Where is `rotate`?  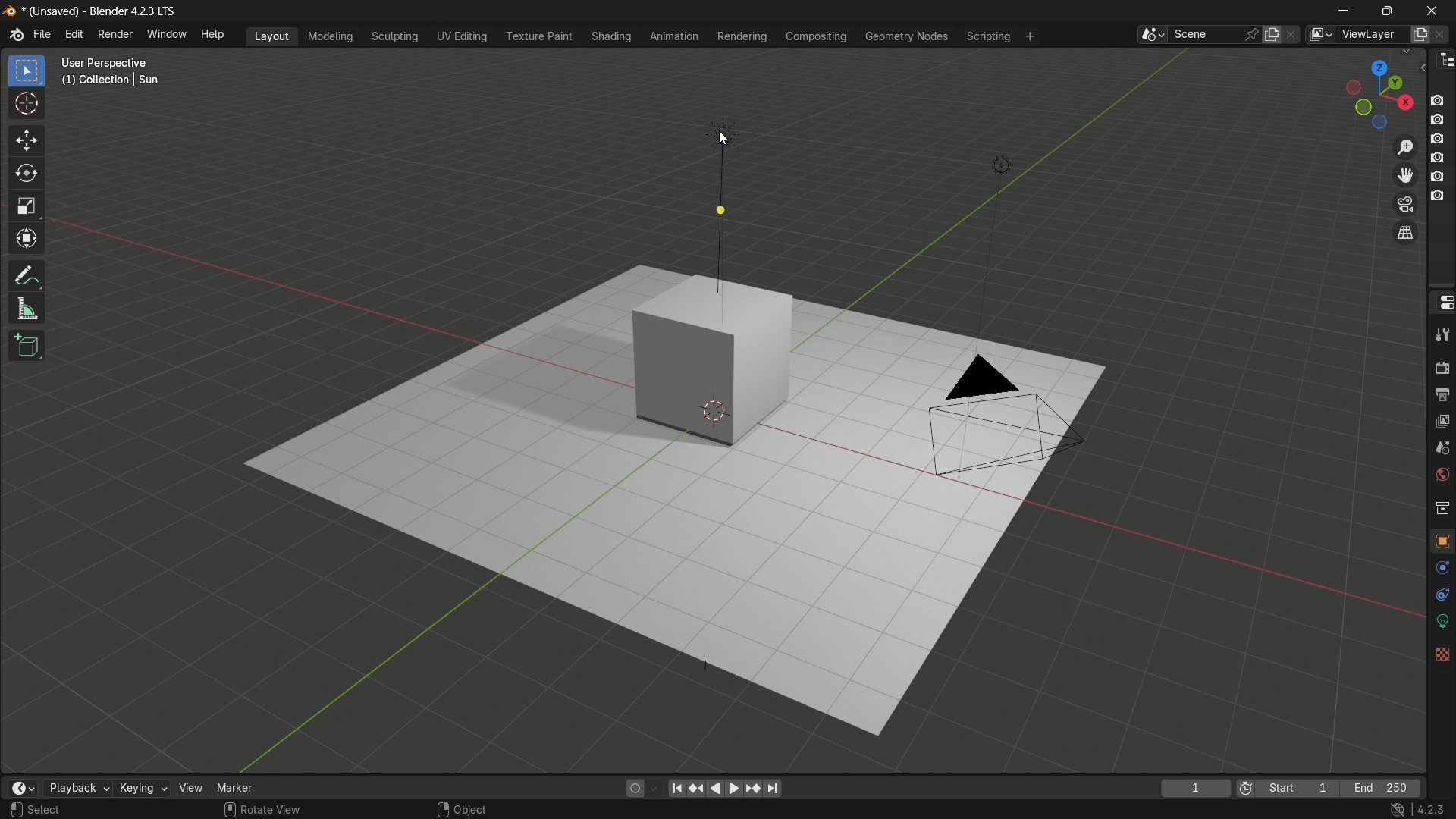
rotate is located at coordinates (28, 174).